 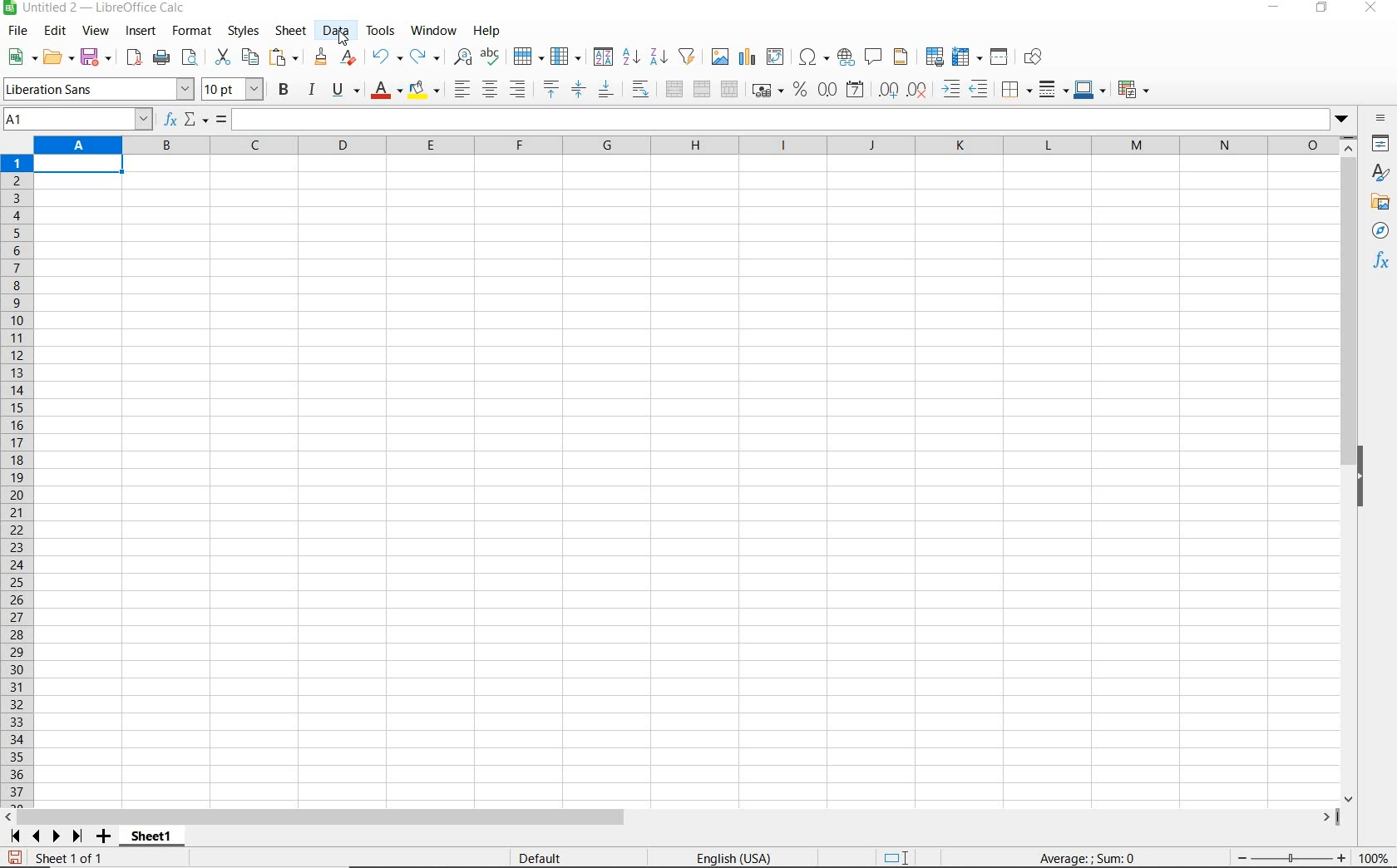 I want to click on coditional, so click(x=1132, y=90).